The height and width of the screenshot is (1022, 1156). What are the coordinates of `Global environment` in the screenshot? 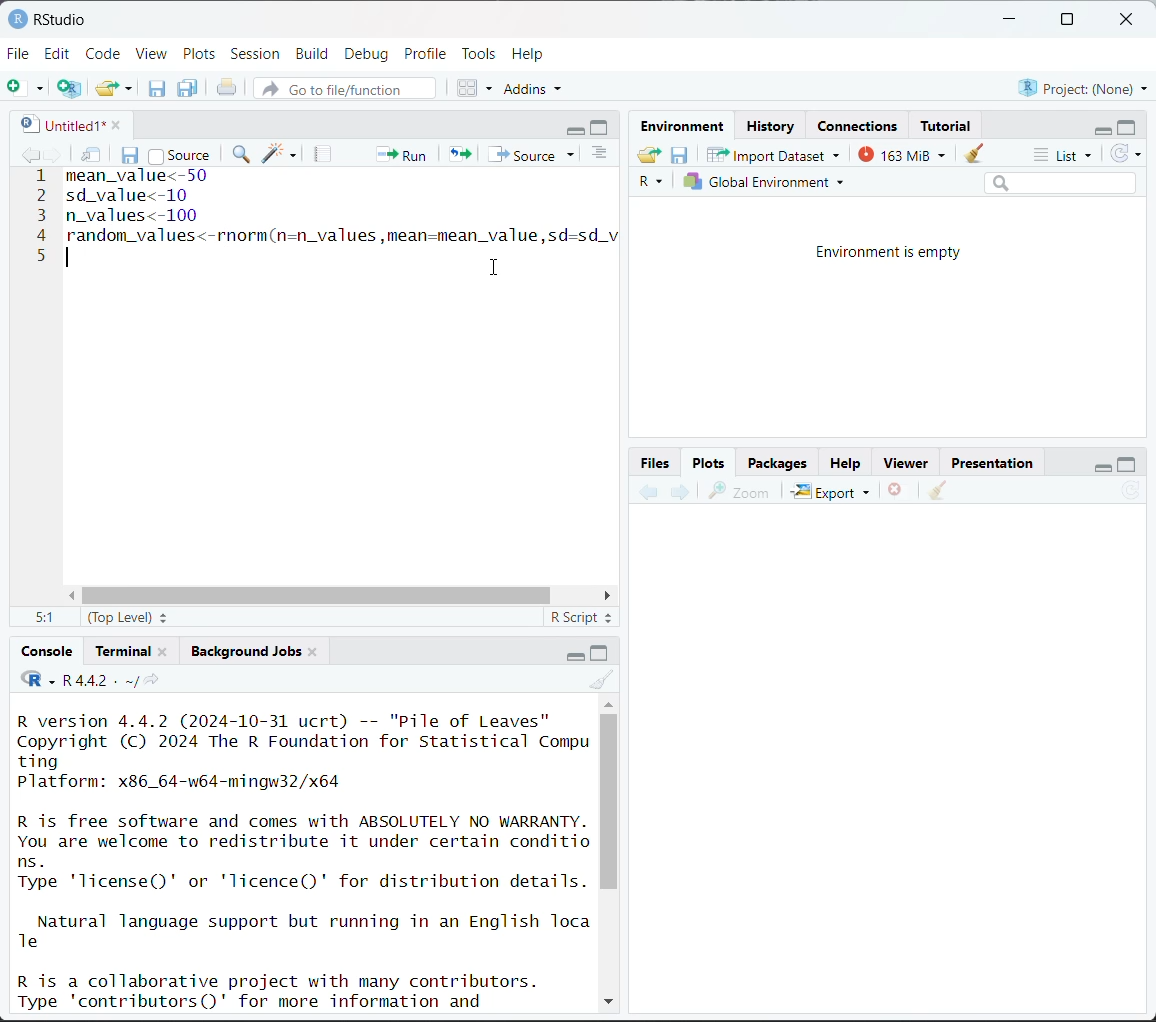 It's located at (765, 182).